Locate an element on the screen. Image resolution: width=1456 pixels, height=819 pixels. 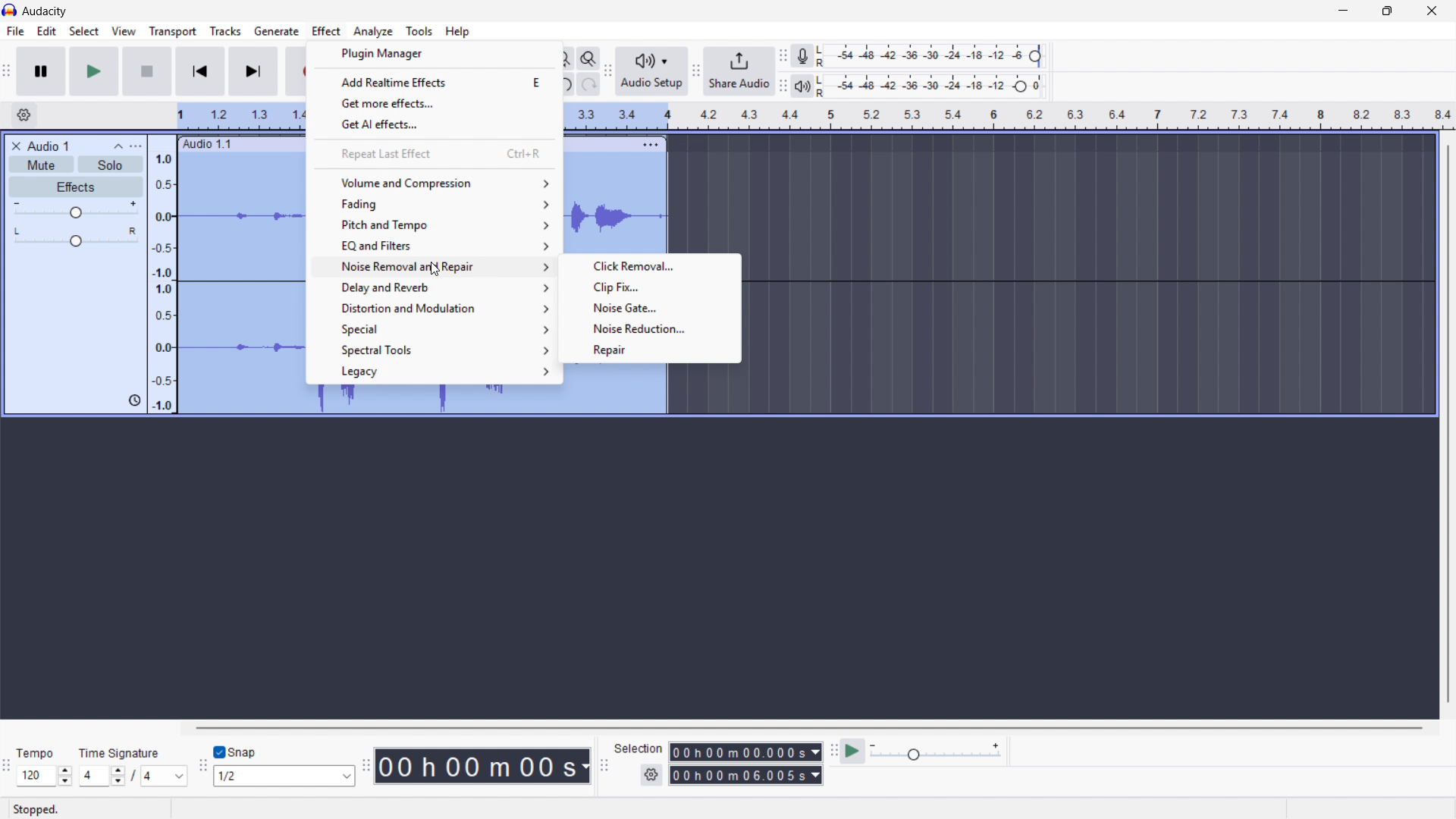
Set snapping is located at coordinates (284, 776).